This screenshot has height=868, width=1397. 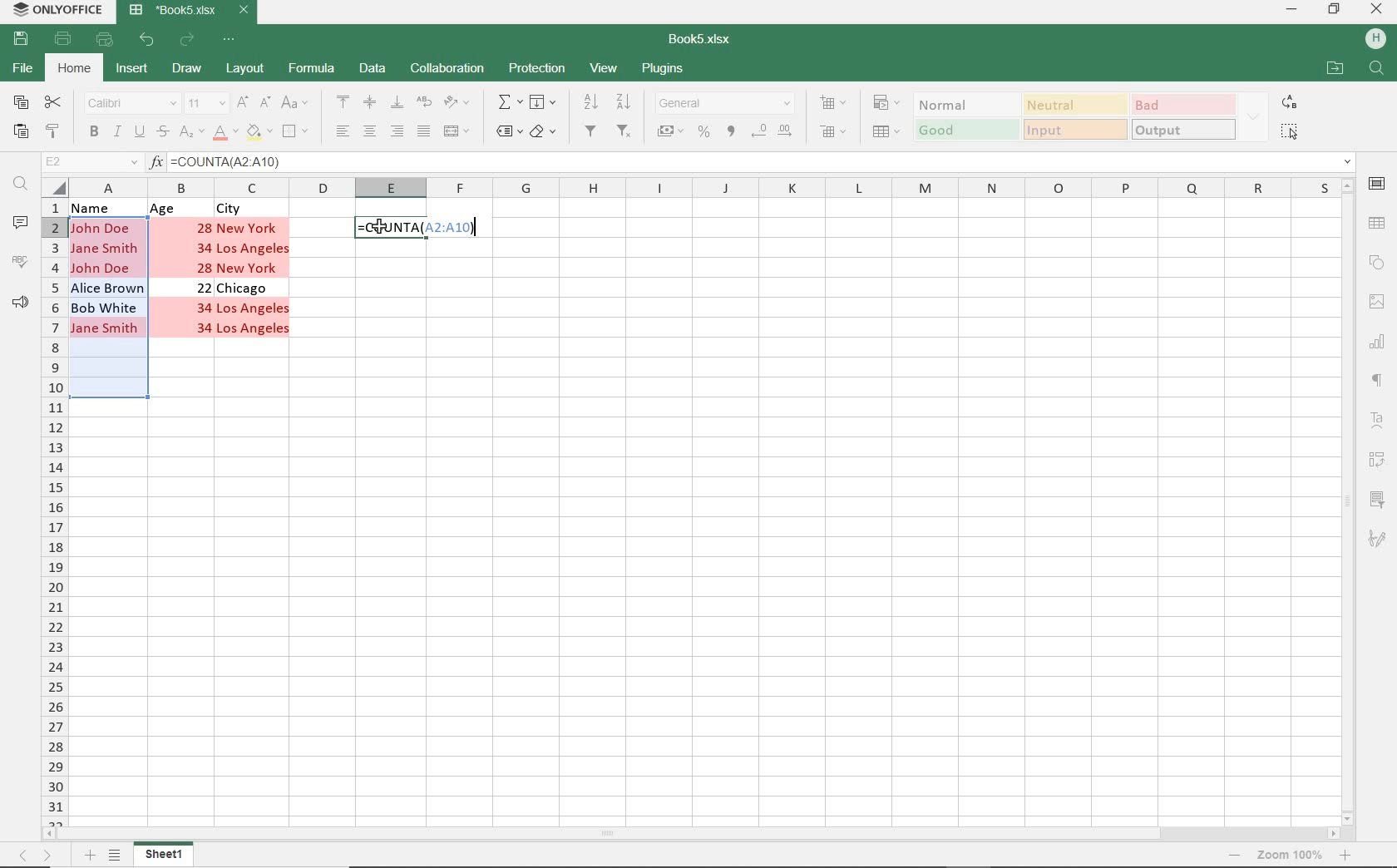 I want to click on BORDERS, so click(x=297, y=133).